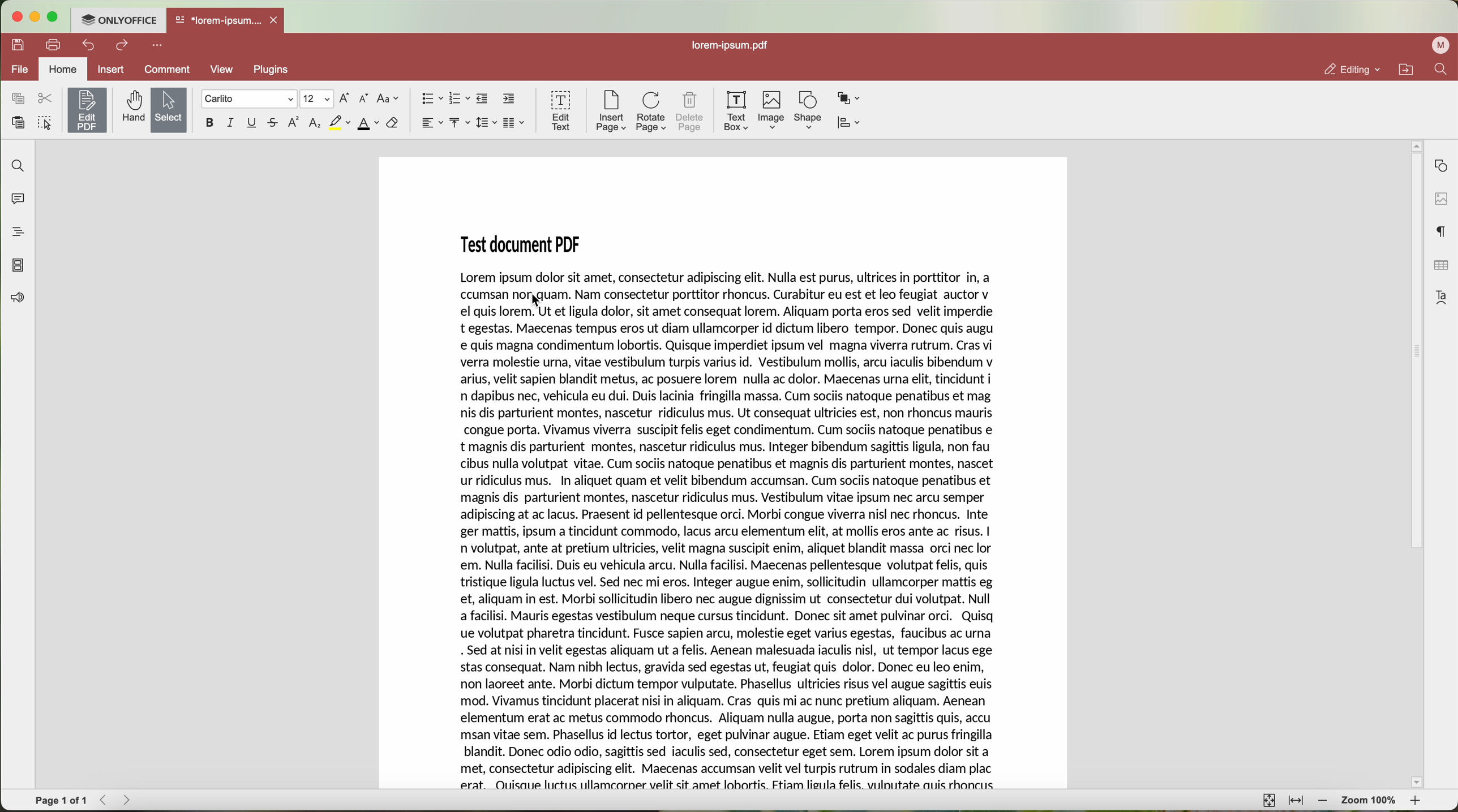 This screenshot has width=1458, height=812. Describe the element at coordinates (1348, 67) in the screenshot. I see `editing` at that location.